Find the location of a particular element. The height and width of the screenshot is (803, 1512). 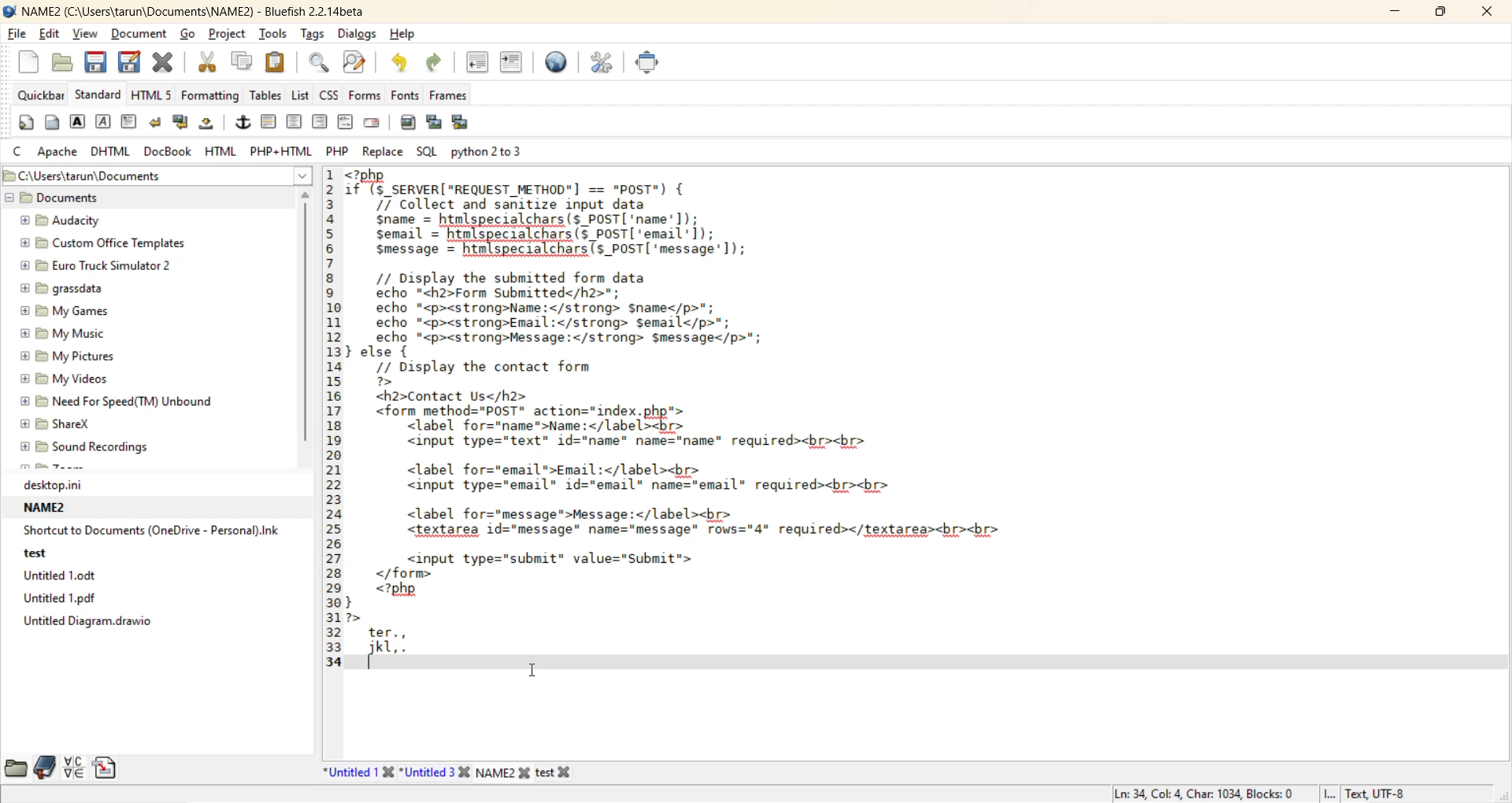

dhtml is located at coordinates (108, 152).